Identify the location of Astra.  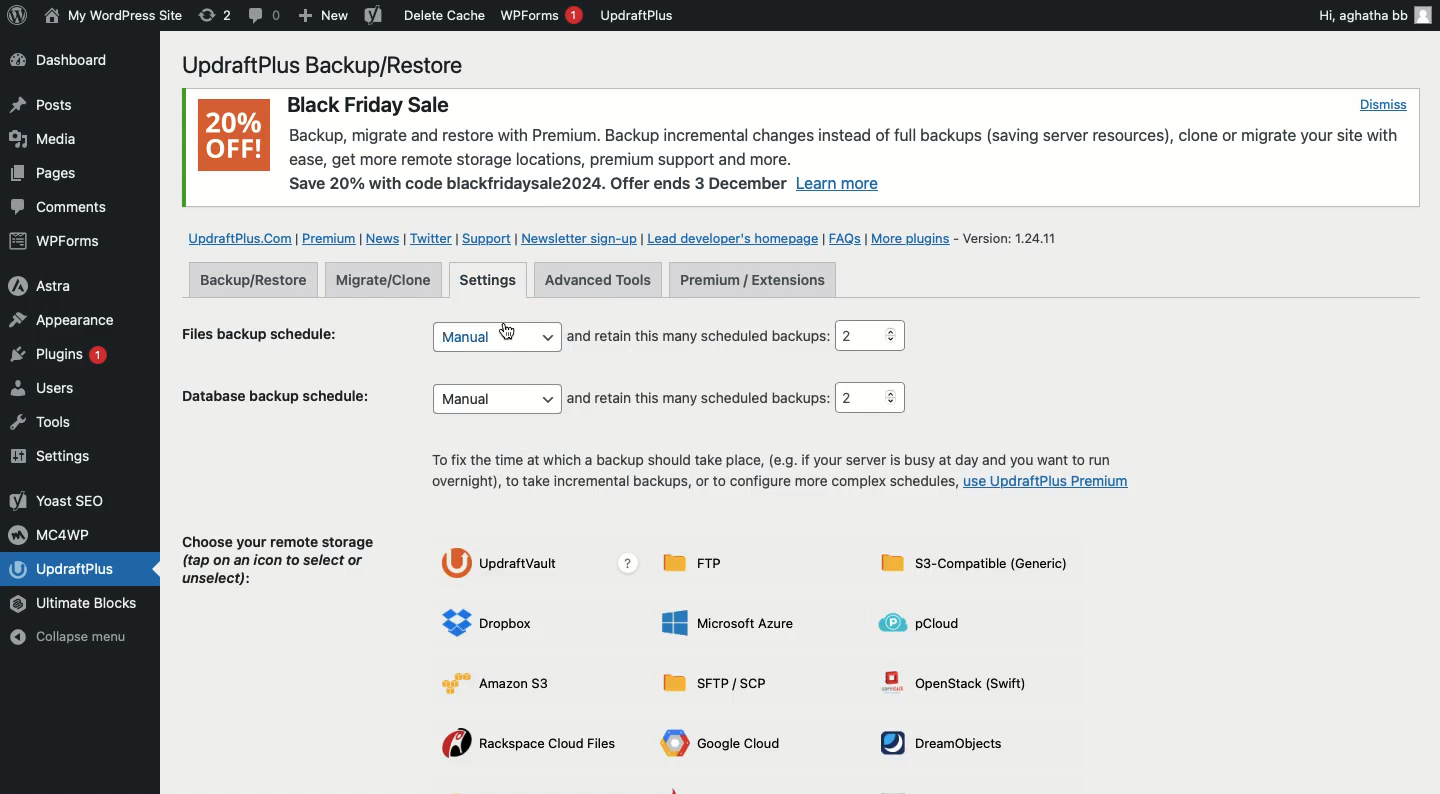
(57, 284).